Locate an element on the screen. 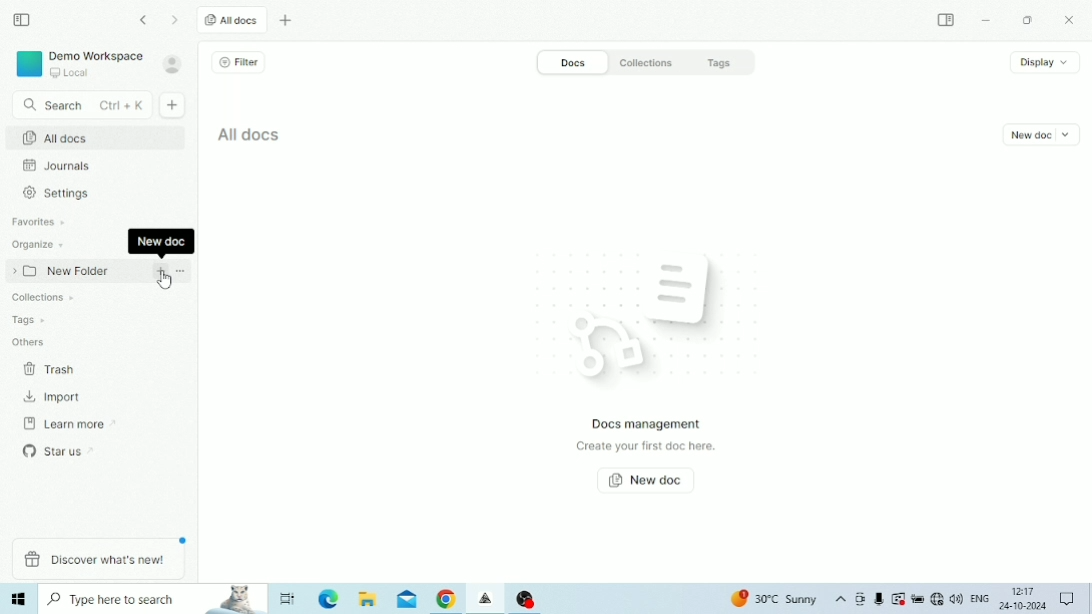 The width and height of the screenshot is (1092, 614). Settings is located at coordinates (61, 193).